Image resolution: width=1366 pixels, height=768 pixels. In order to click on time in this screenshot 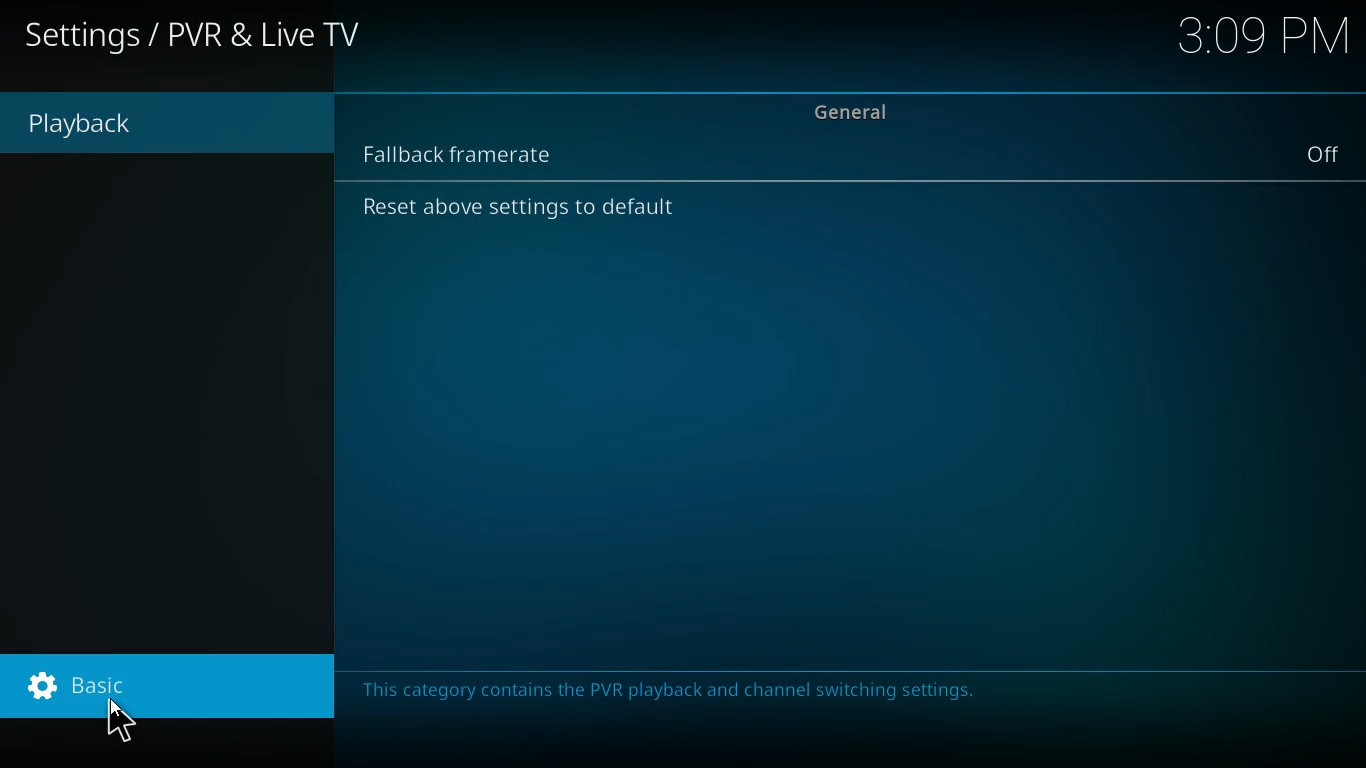, I will do `click(1265, 38)`.